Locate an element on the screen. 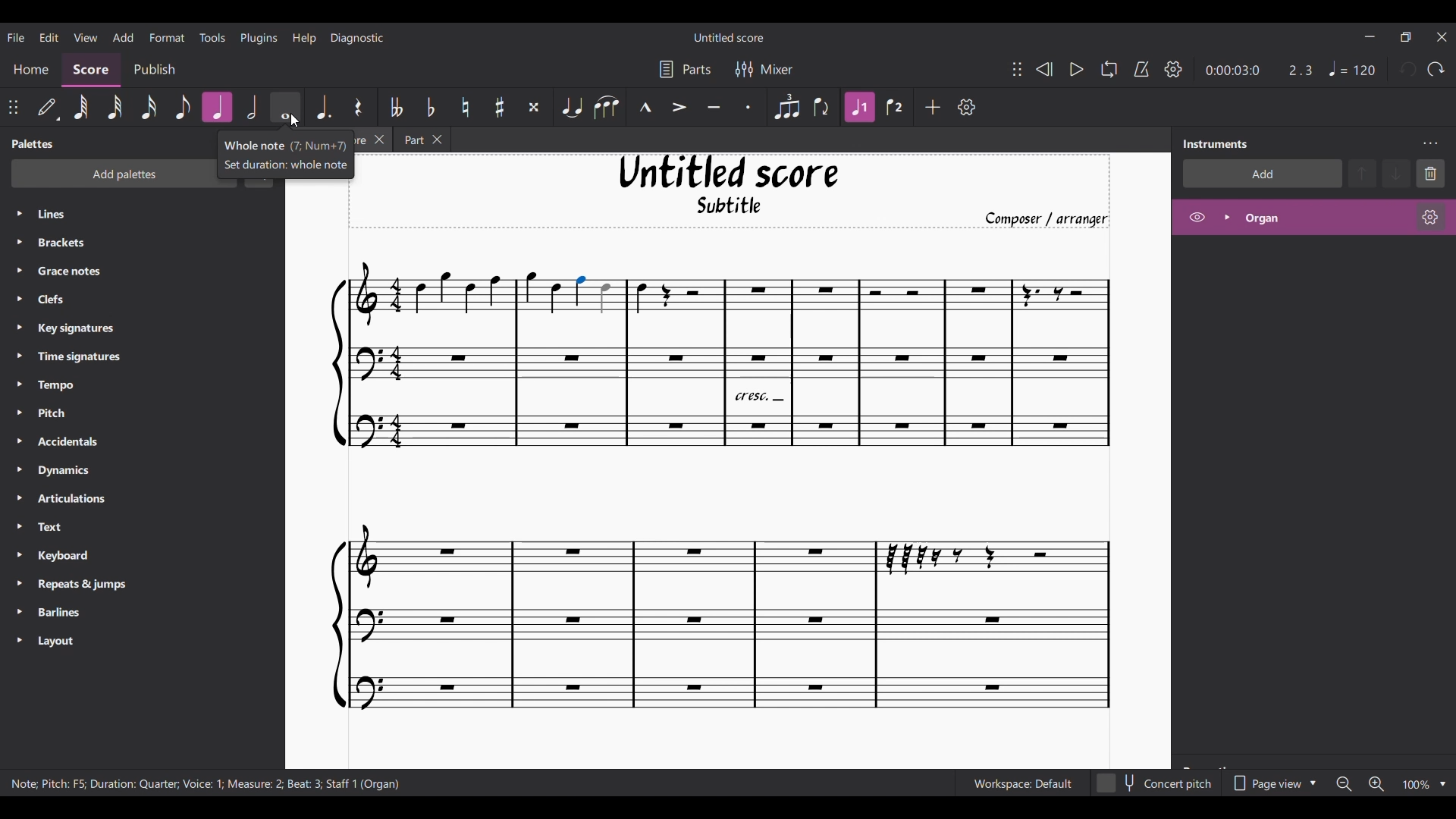 The width and height of the screenshot is (1456, 819). Selected note highlighted is located at coordinates (581, 291).